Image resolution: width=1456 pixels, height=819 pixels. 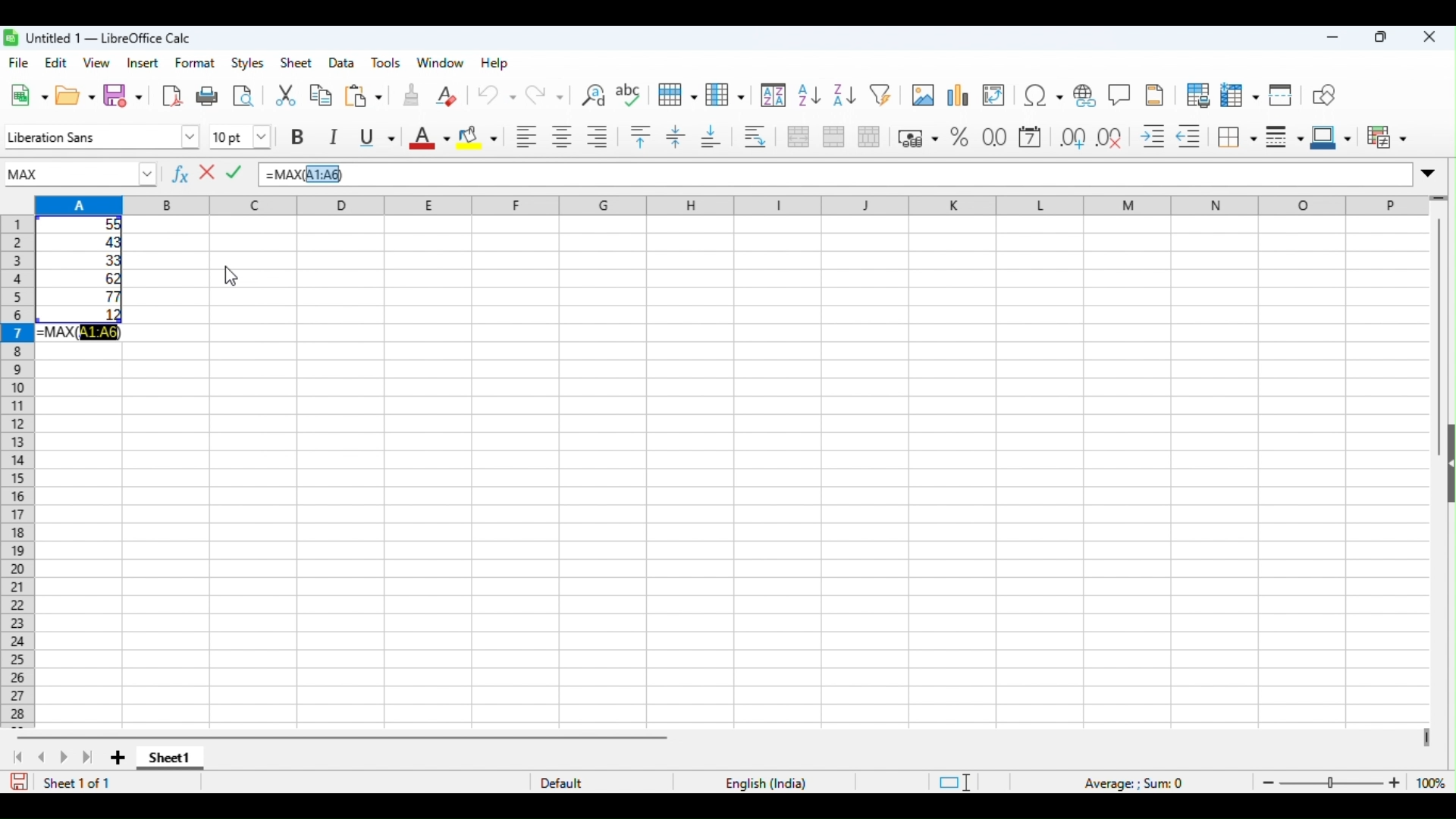 I want to click on insert header and footer, so click(x=1153, y=94).